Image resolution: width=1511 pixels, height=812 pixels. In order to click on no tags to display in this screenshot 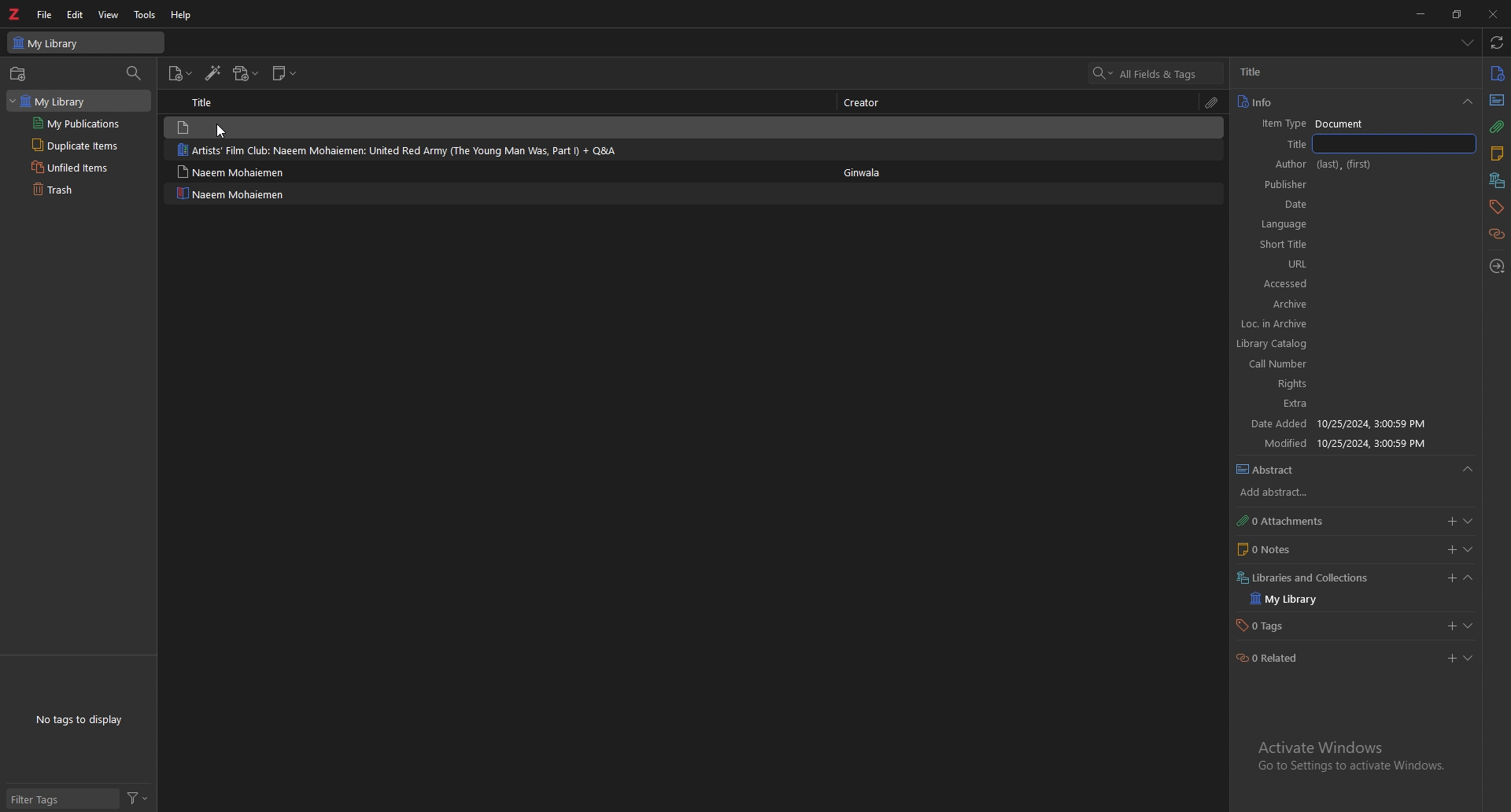, I will do `click(78, 719)`.